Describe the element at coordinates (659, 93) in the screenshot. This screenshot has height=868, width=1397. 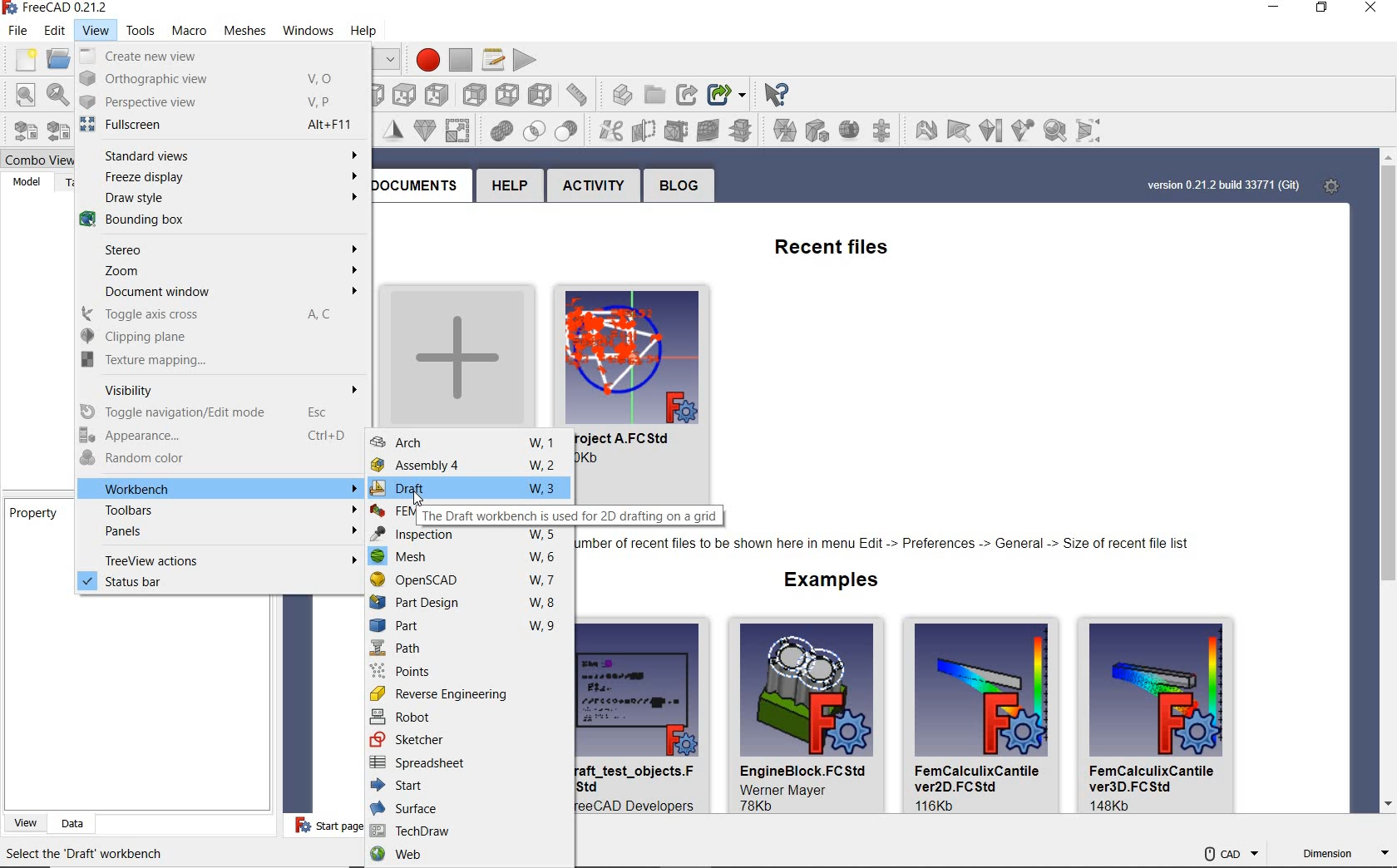
I see `make link` at that location.